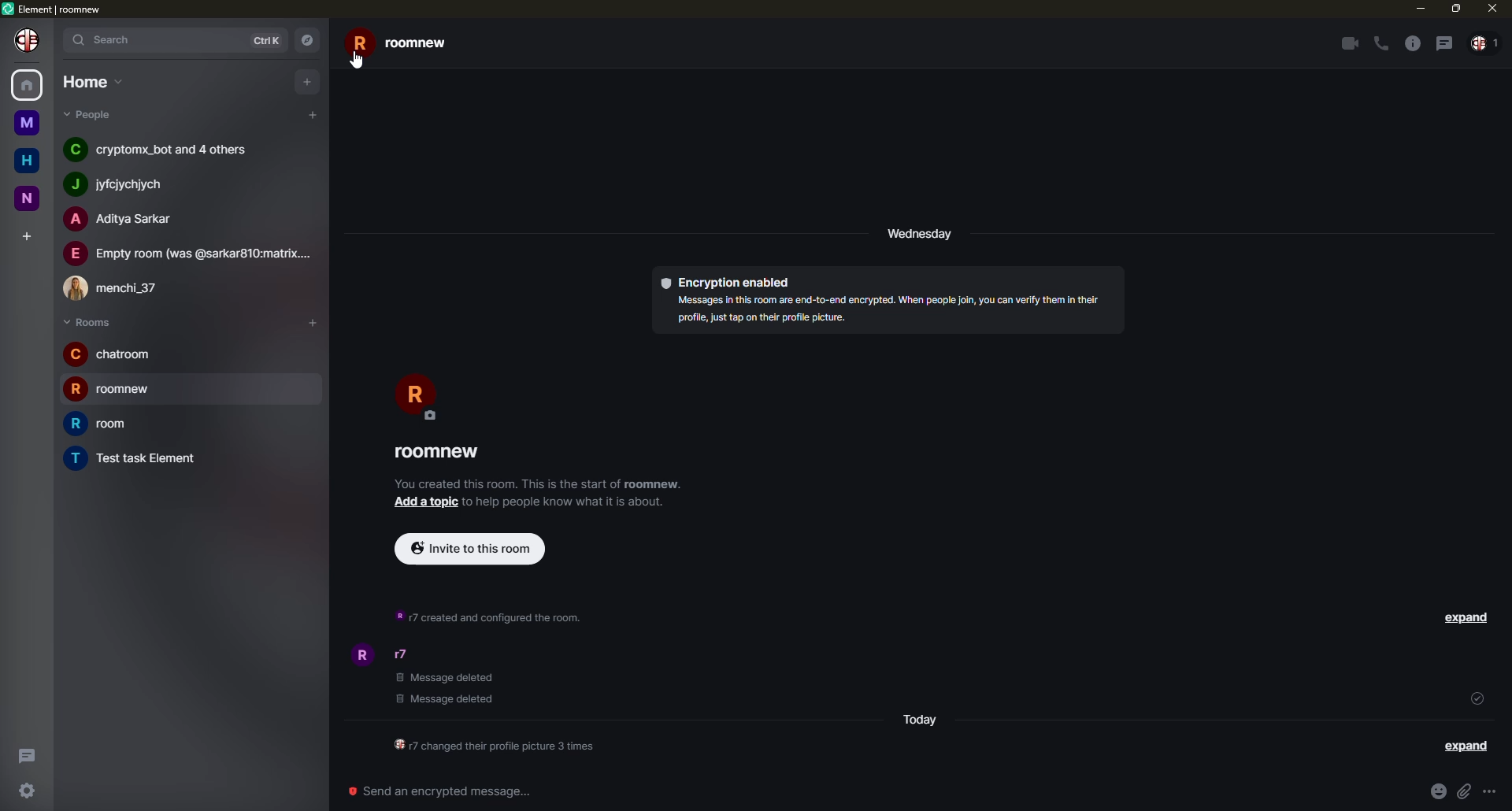 The height and width of the screenshot is (811, 1512). Describe the element at coordinates (120, 391) in the screenshot. I see `room` at that location.